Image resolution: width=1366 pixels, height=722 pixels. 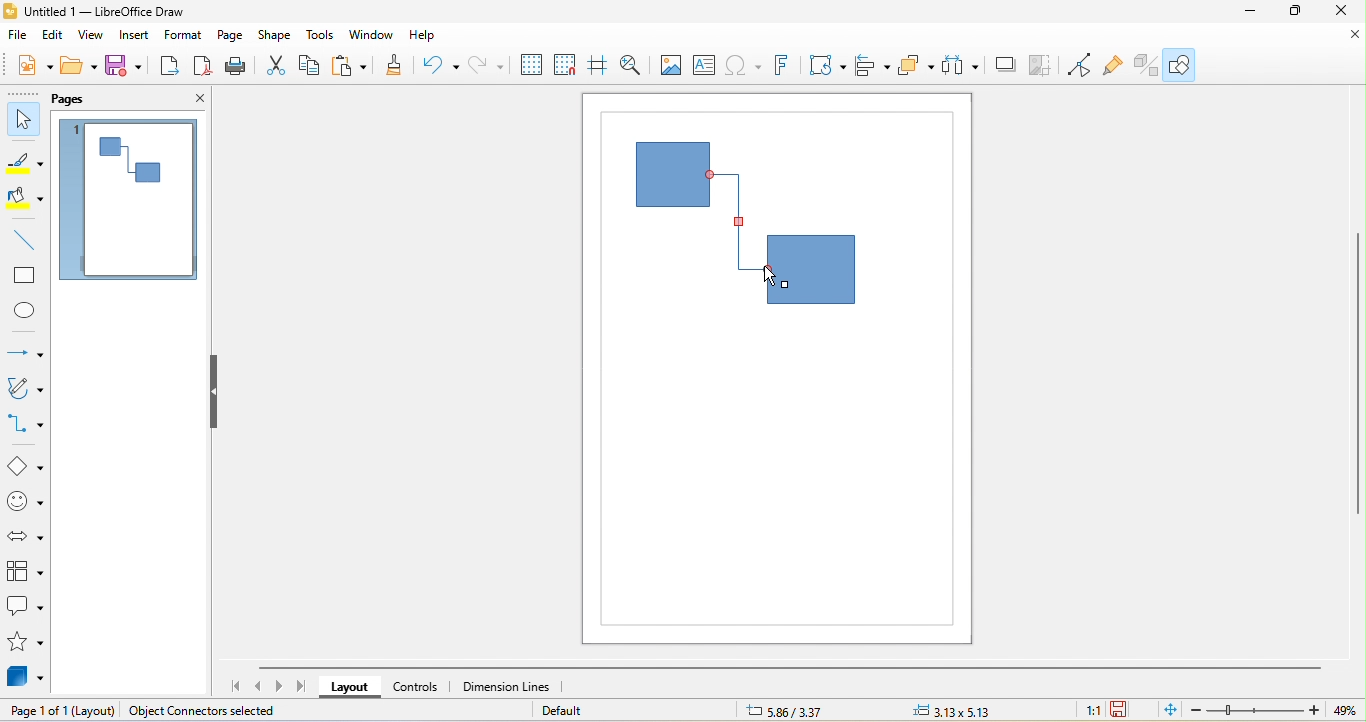 I want to click on fontwork text, so click(x=788, y=65).